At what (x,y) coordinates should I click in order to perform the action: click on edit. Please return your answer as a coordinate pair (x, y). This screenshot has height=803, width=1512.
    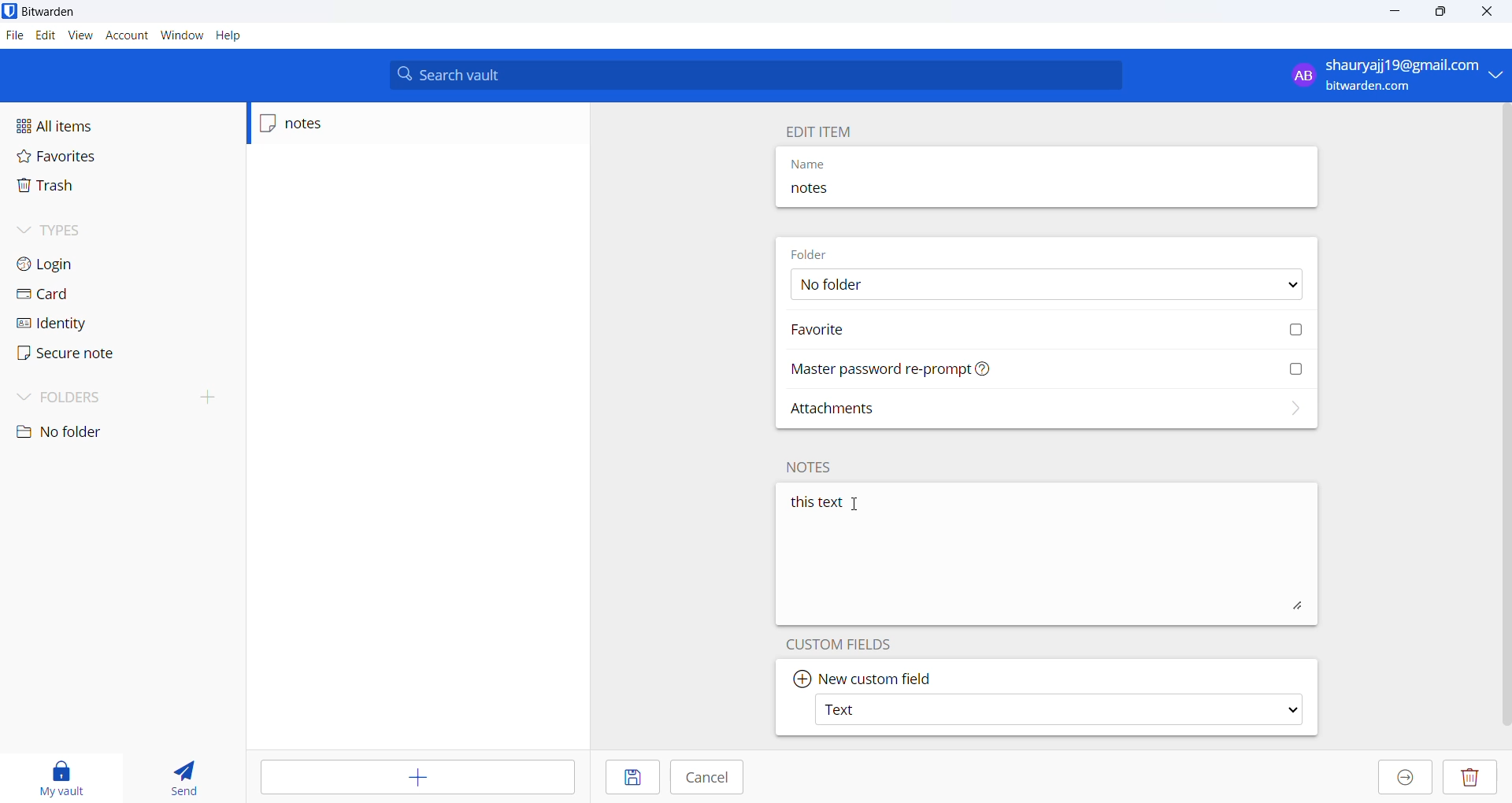
    Looking at the image, I should click on (45, 36).